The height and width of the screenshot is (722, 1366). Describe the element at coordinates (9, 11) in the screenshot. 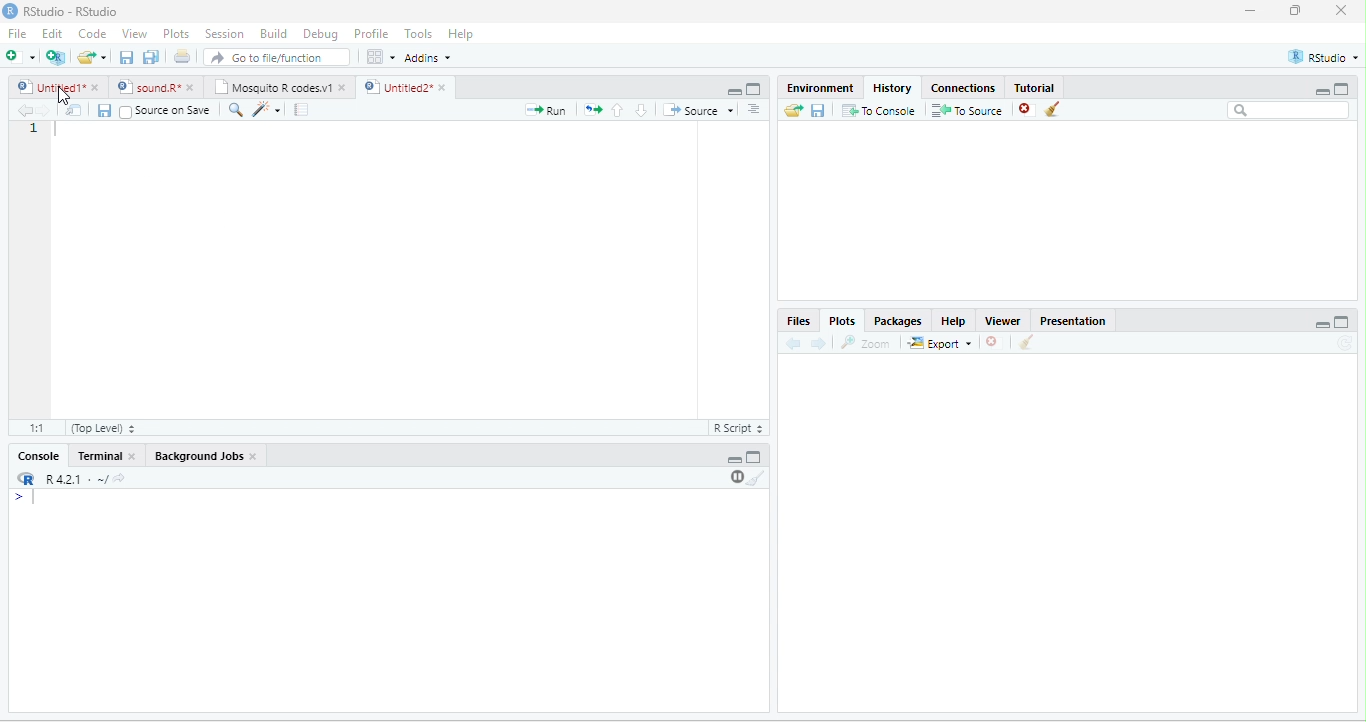

I see `logo` at that location.